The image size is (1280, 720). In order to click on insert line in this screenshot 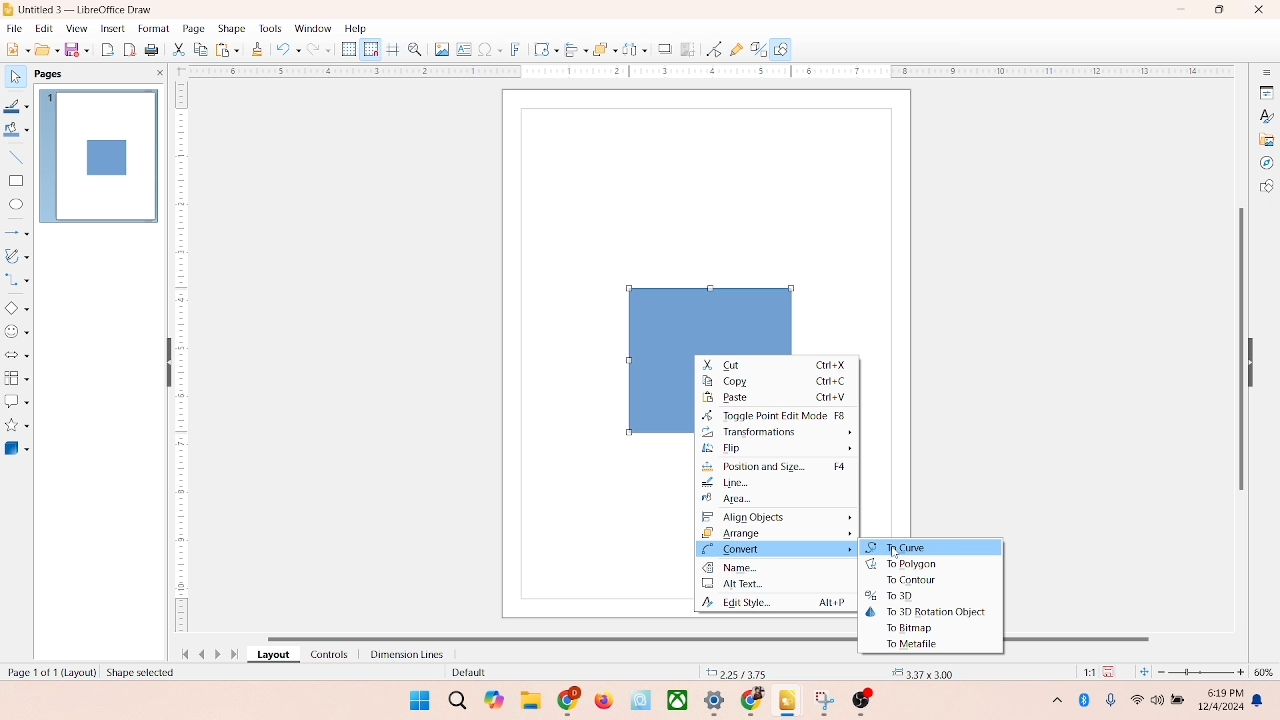, I will do `click(16, 157)`.